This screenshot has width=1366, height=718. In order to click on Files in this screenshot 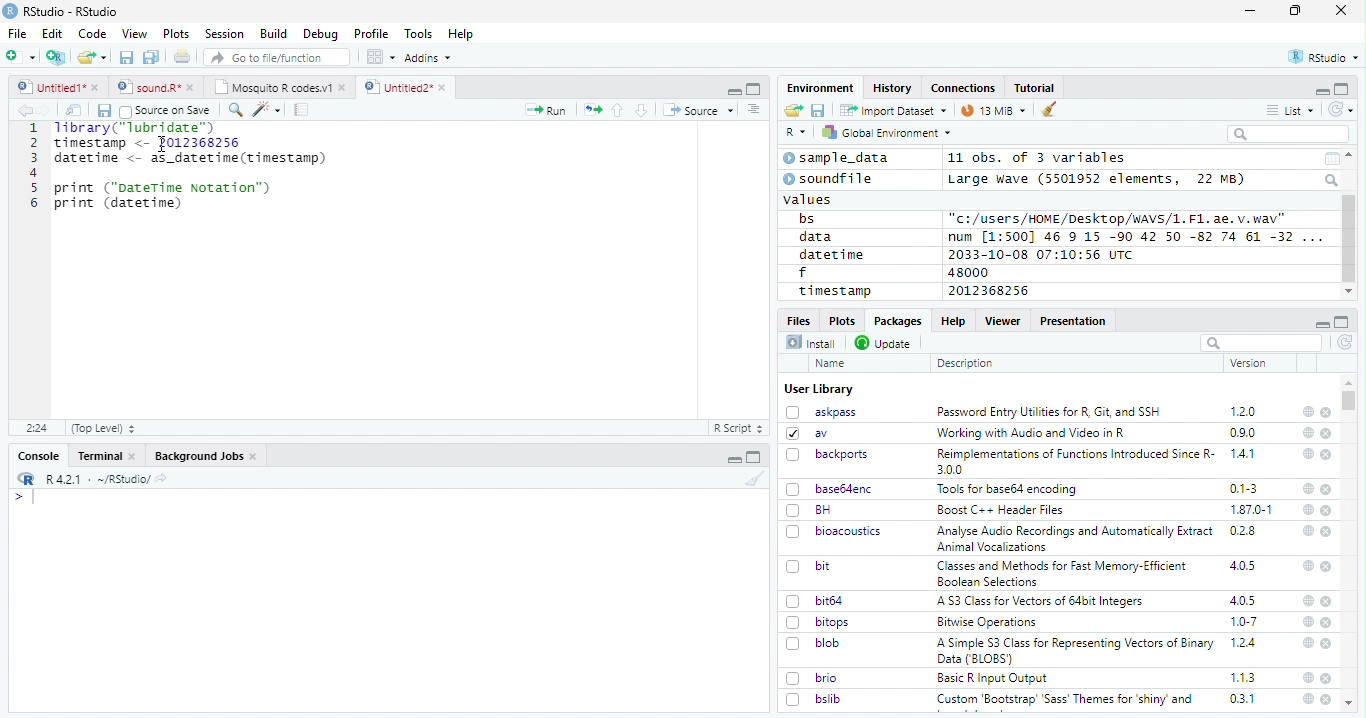, I will do `click(800, 319)`.